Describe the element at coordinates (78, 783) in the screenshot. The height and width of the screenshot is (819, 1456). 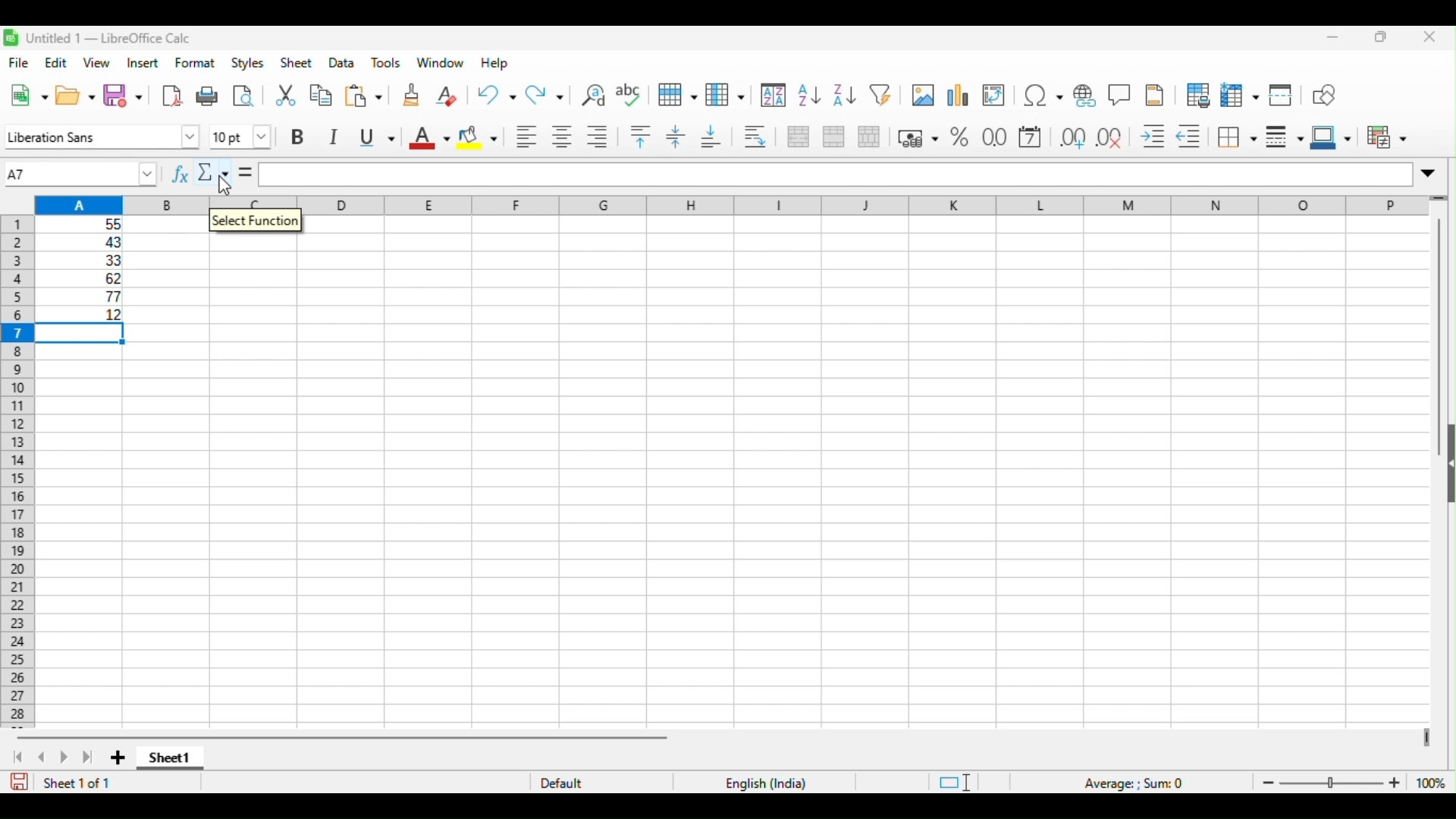
I see `sheet 1 of 1` at that location.